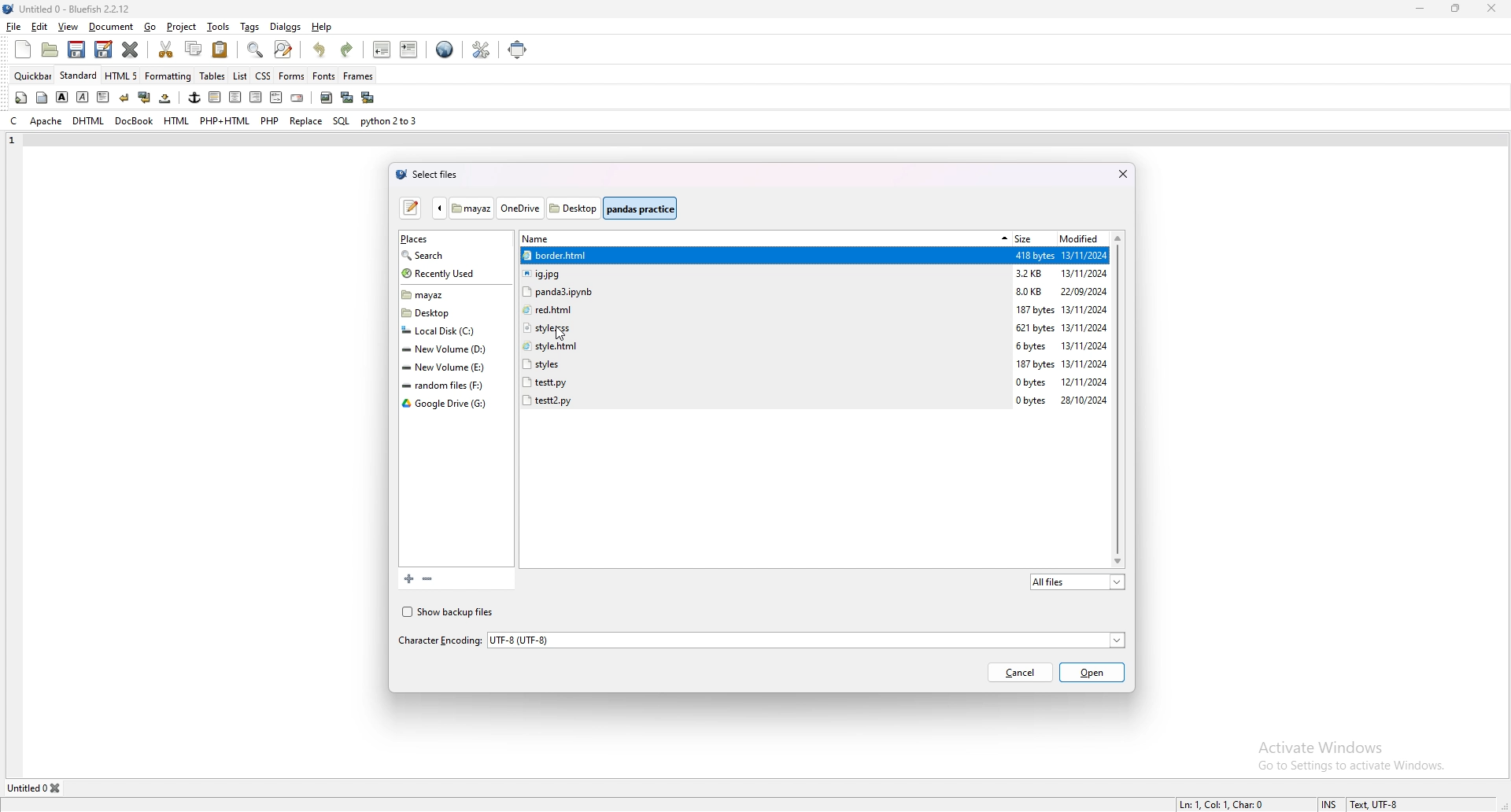  Describe the element at coordinates (277, 98) in the screenshot. I see `html comment` at that location.